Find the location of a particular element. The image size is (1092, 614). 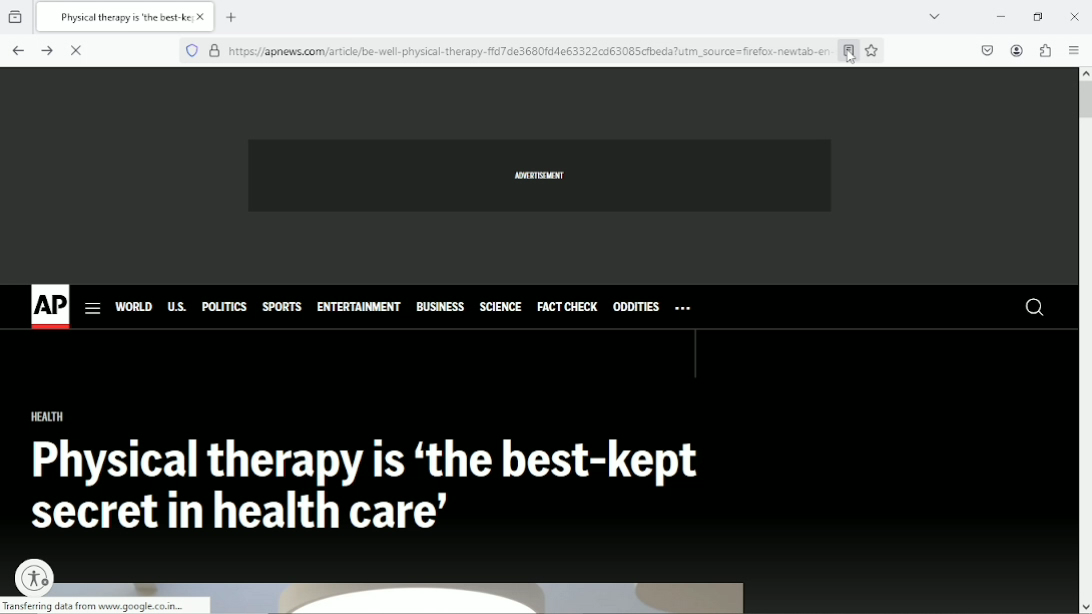

go back is located at coordinates (17, 50).